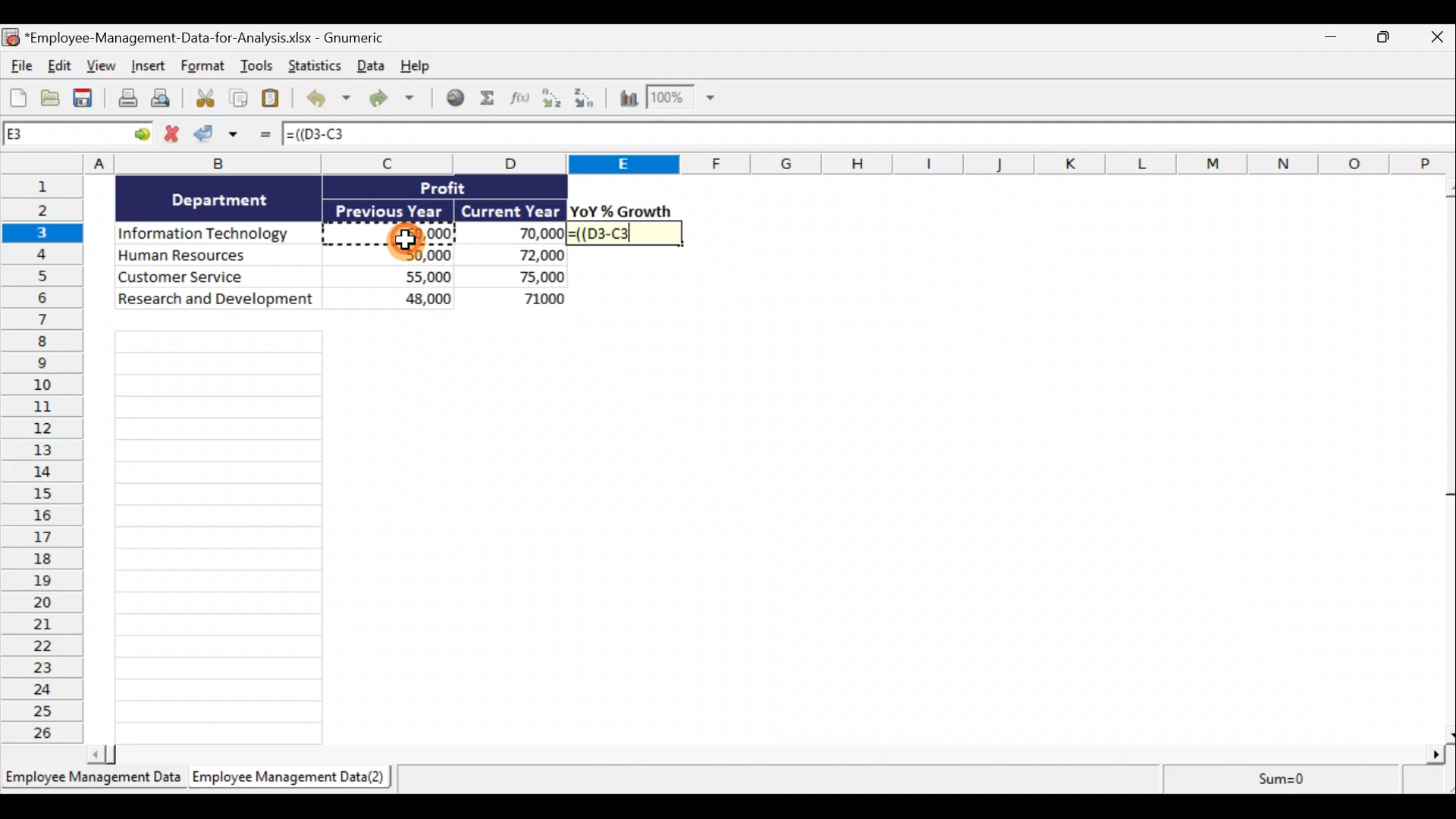 The height and width of the screenshot is (819, 1456). Describe the element at coordinates (319, 134) in the screenshot. I see `=((D3-` at that location.